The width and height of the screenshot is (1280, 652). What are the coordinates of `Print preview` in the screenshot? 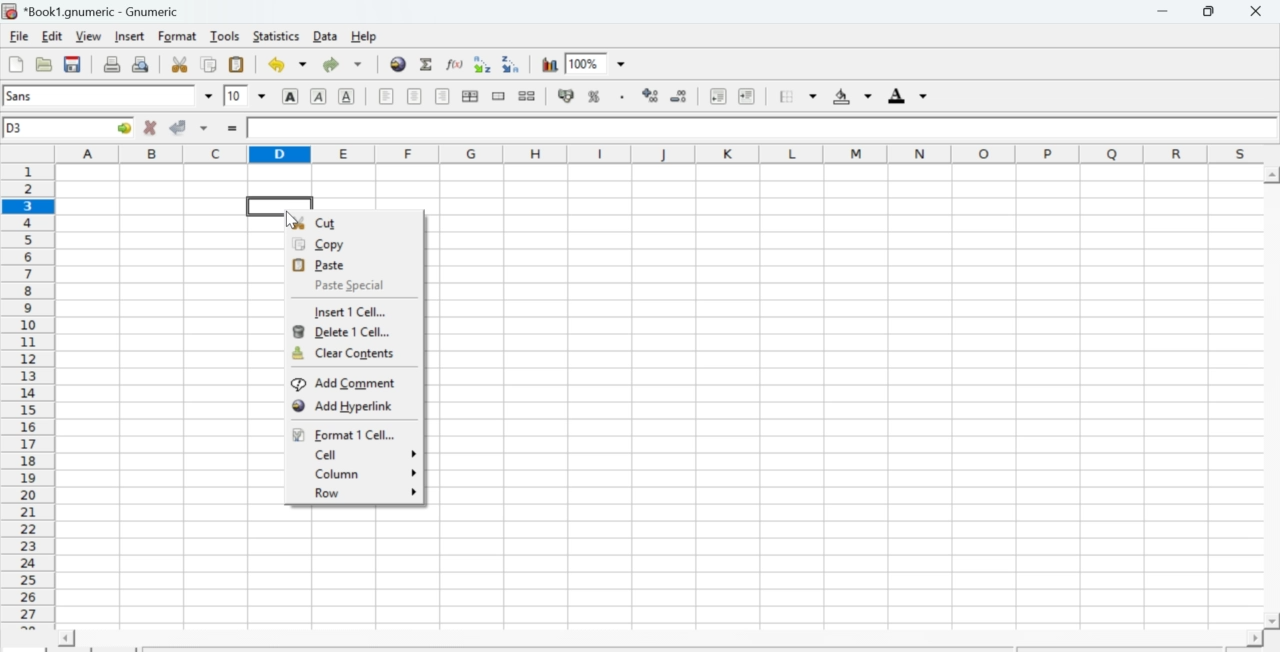 It's located at (144, 64).